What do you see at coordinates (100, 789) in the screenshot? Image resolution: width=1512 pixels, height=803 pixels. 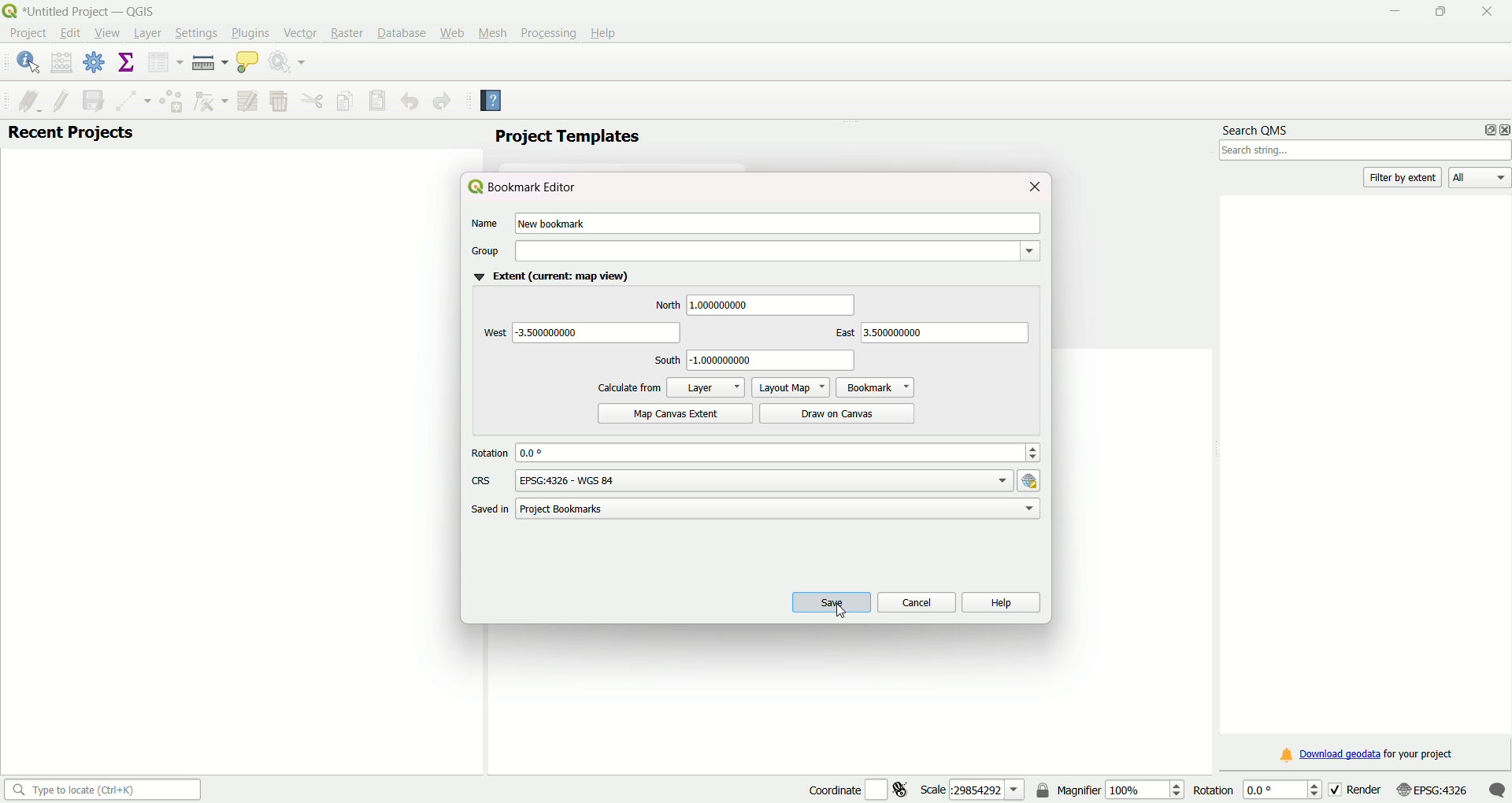 I see `search bar` at bounding box center [100, 789].